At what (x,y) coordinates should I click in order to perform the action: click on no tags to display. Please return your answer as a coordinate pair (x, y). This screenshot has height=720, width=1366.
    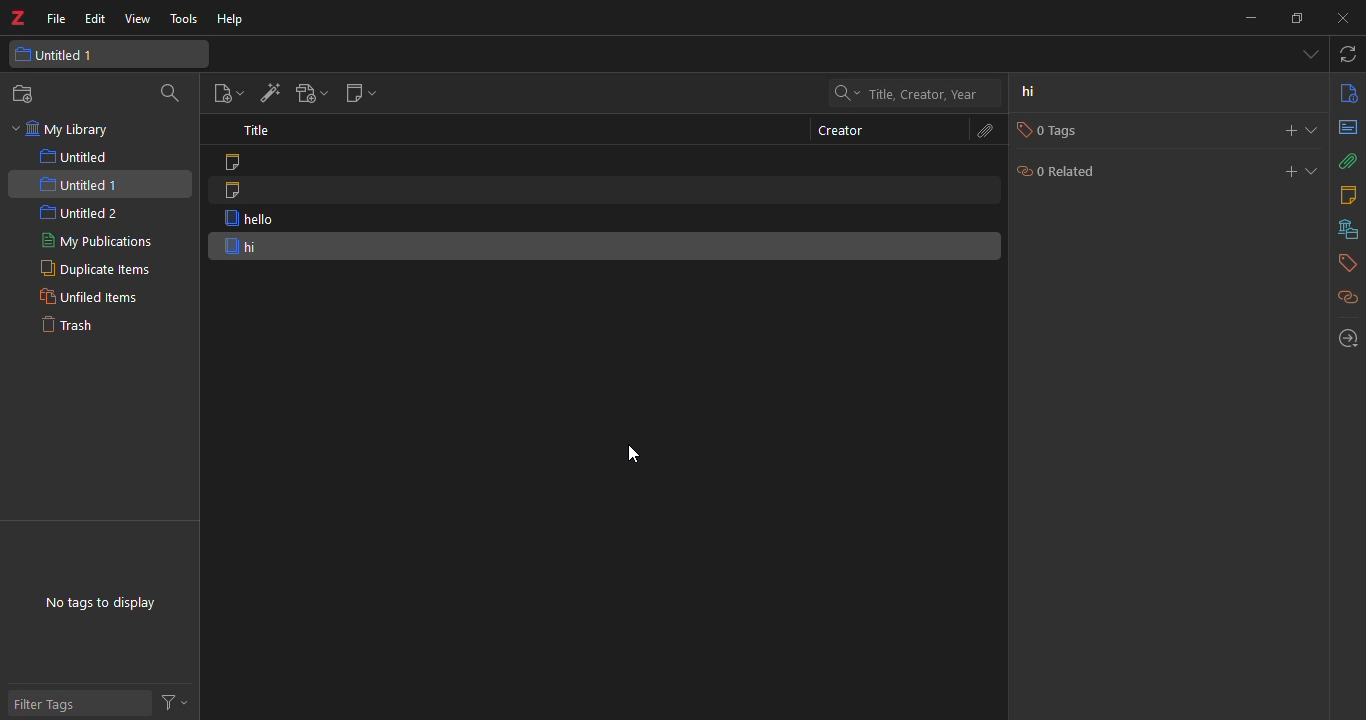
    Looking at the image, I should click on (100, 604).